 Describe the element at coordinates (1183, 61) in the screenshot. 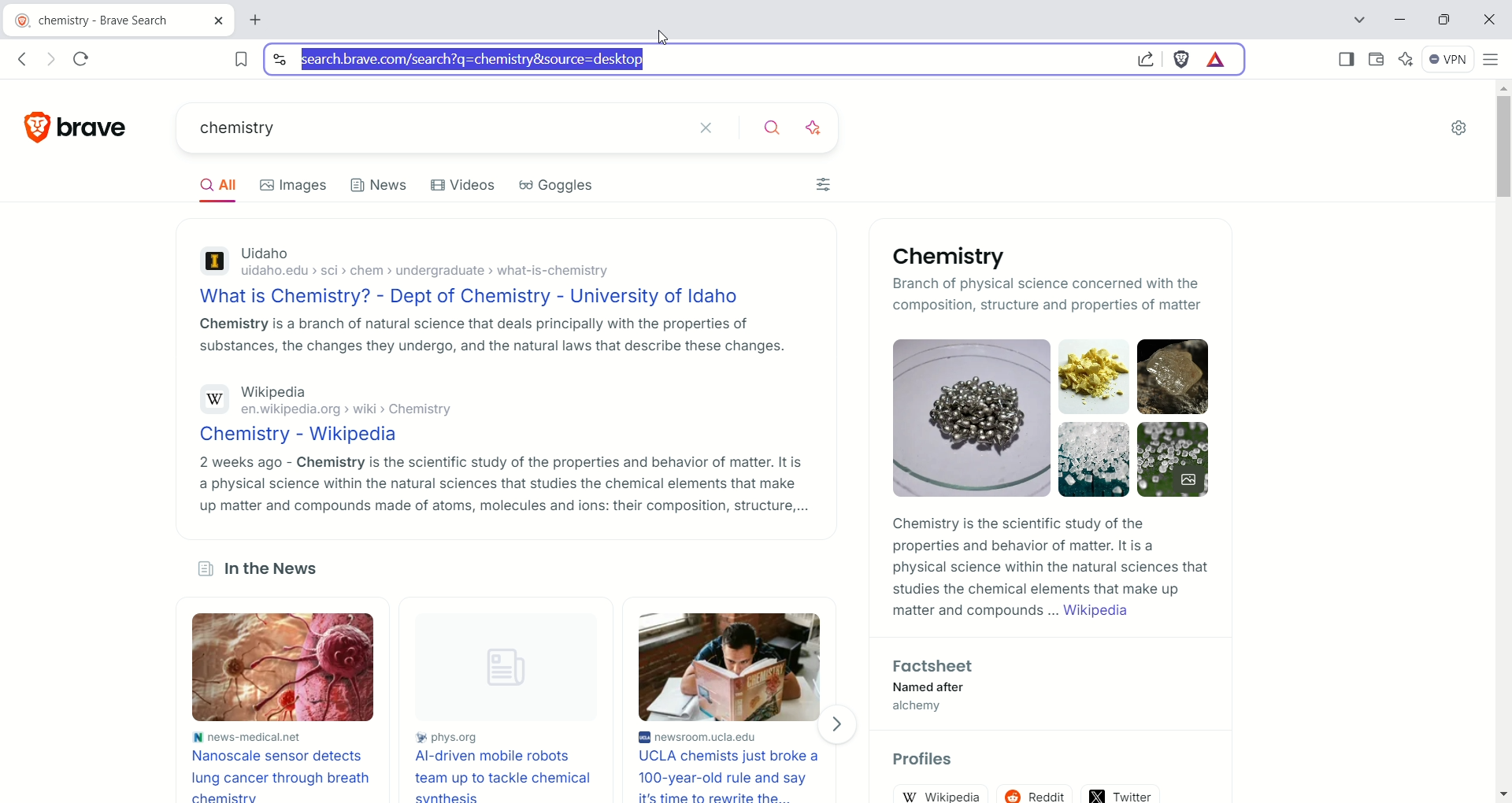

I see `Brave schields` at that location.